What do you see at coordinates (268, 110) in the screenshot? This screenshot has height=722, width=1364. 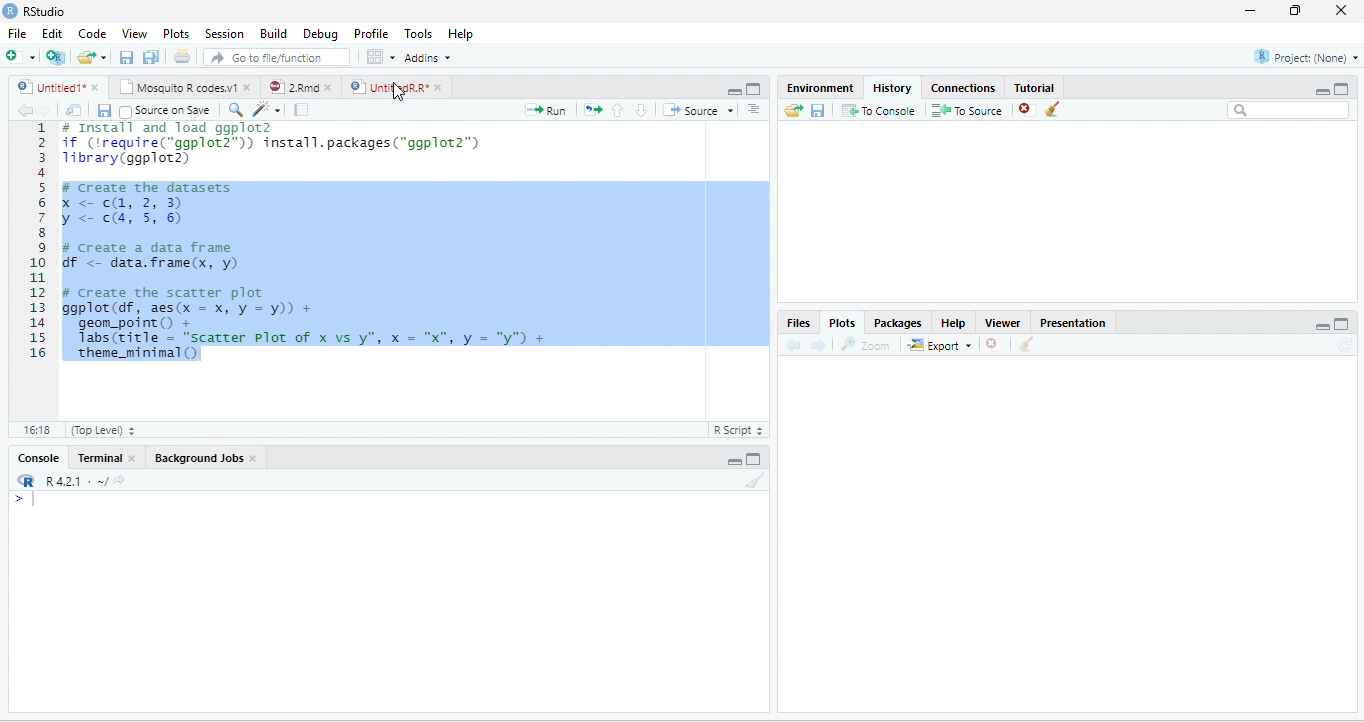 I see `Code tools` at bounding box center [268, 110].